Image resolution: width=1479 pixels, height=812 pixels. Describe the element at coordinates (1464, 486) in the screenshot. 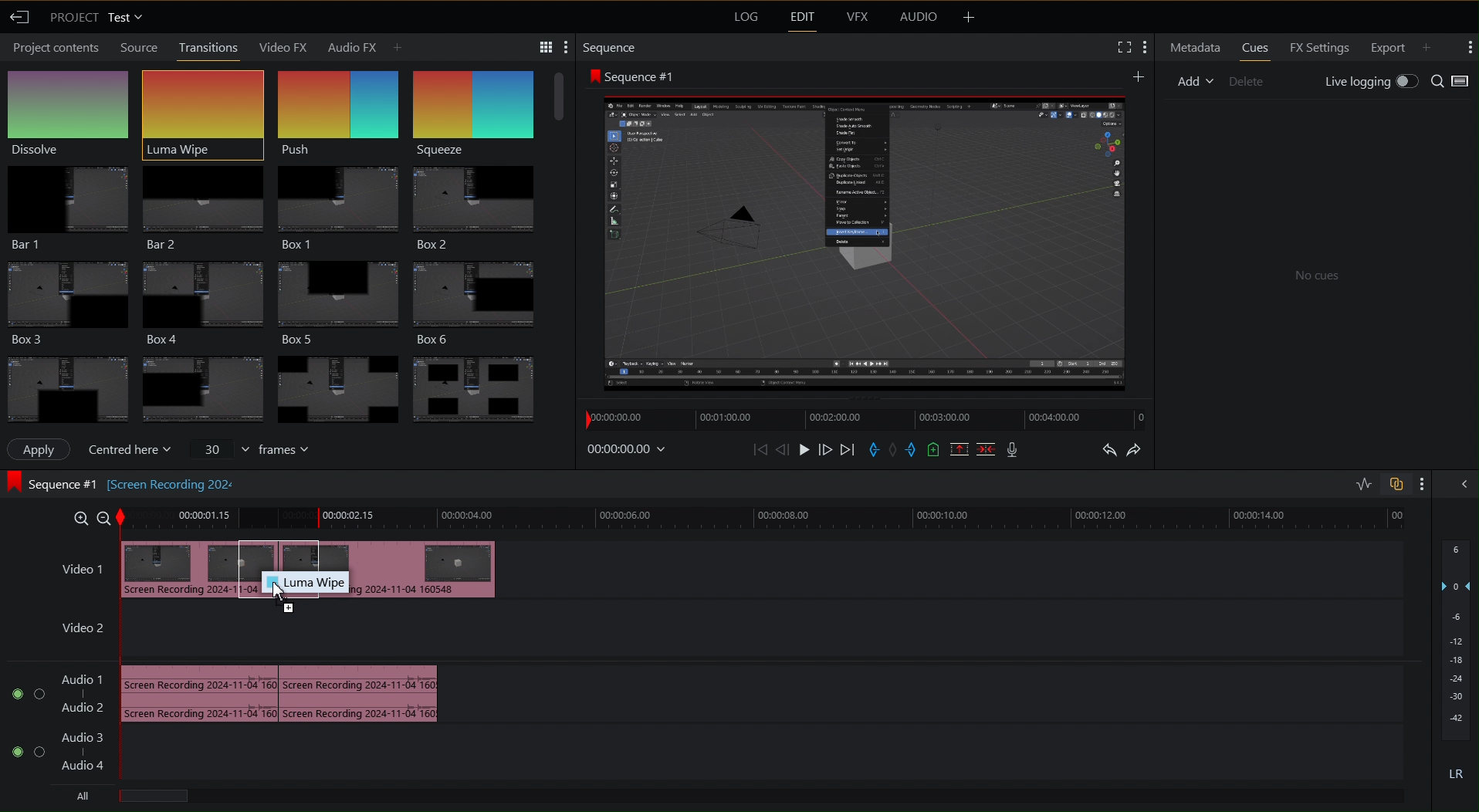

I see `Collapse` at that location.